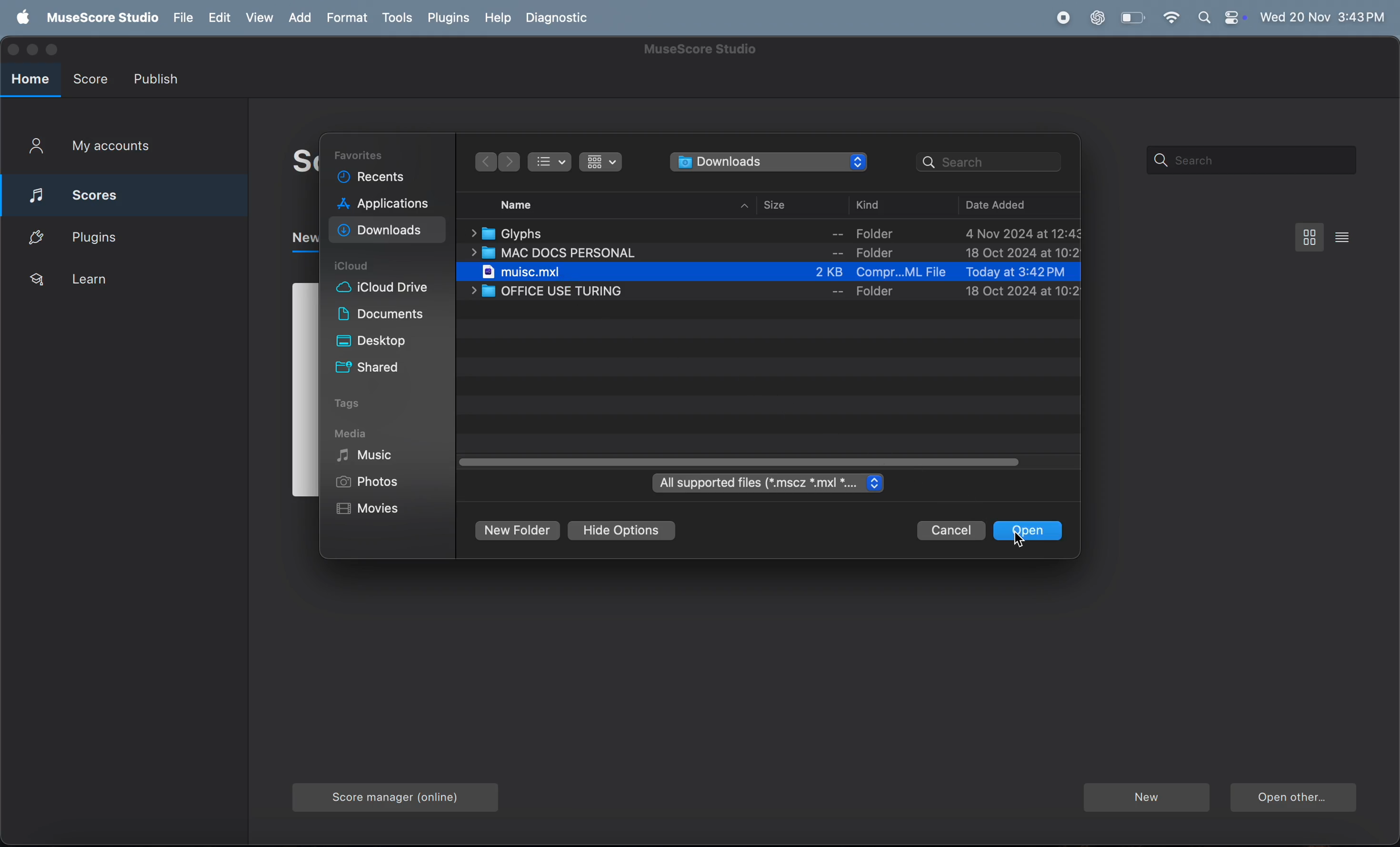  What do you see at coordinates (127, 193) in the screenshot?
I see `scores` at bounding box center [127, 193].